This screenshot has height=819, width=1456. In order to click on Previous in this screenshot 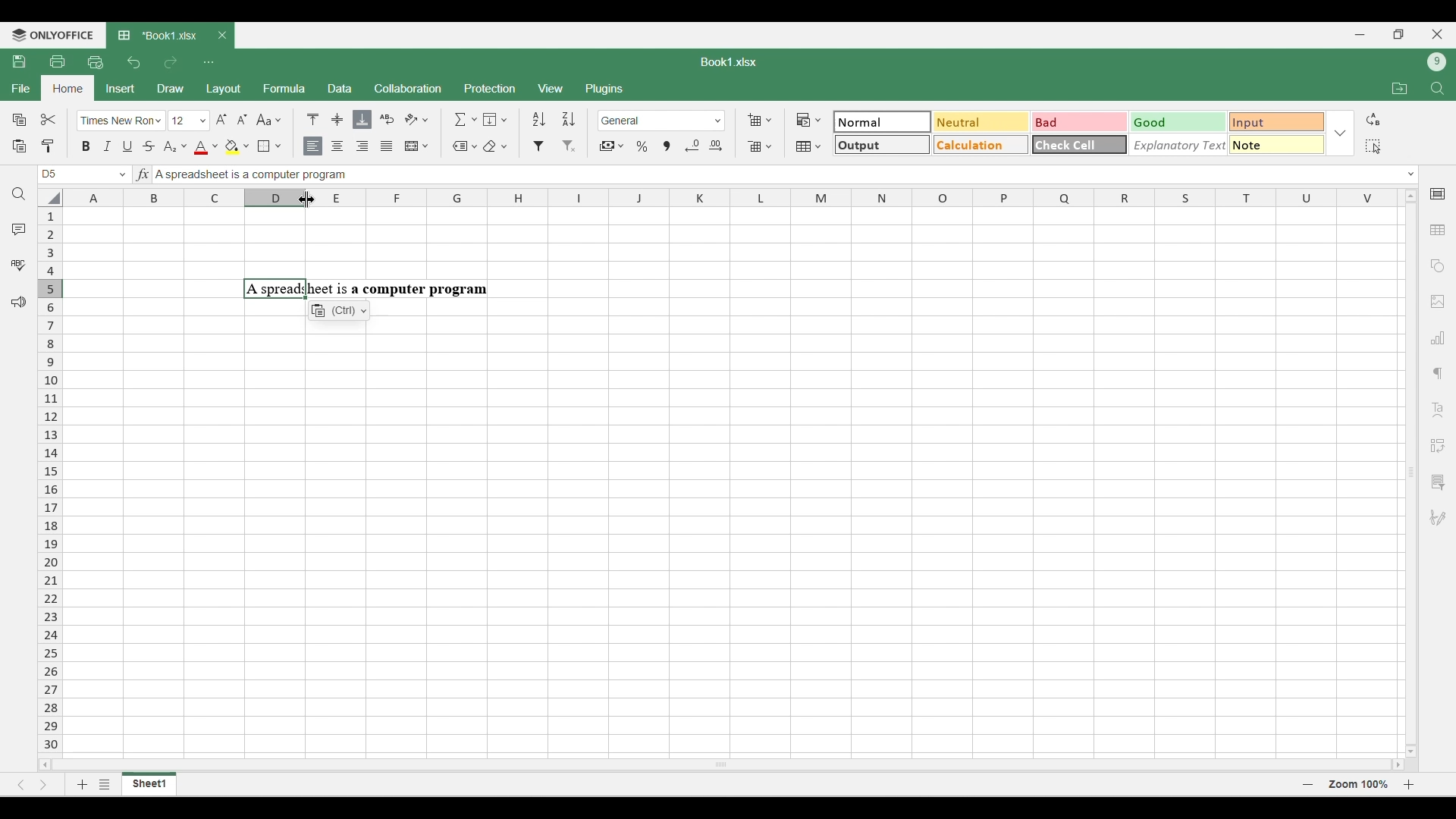, I will do `click(20, 785)`.